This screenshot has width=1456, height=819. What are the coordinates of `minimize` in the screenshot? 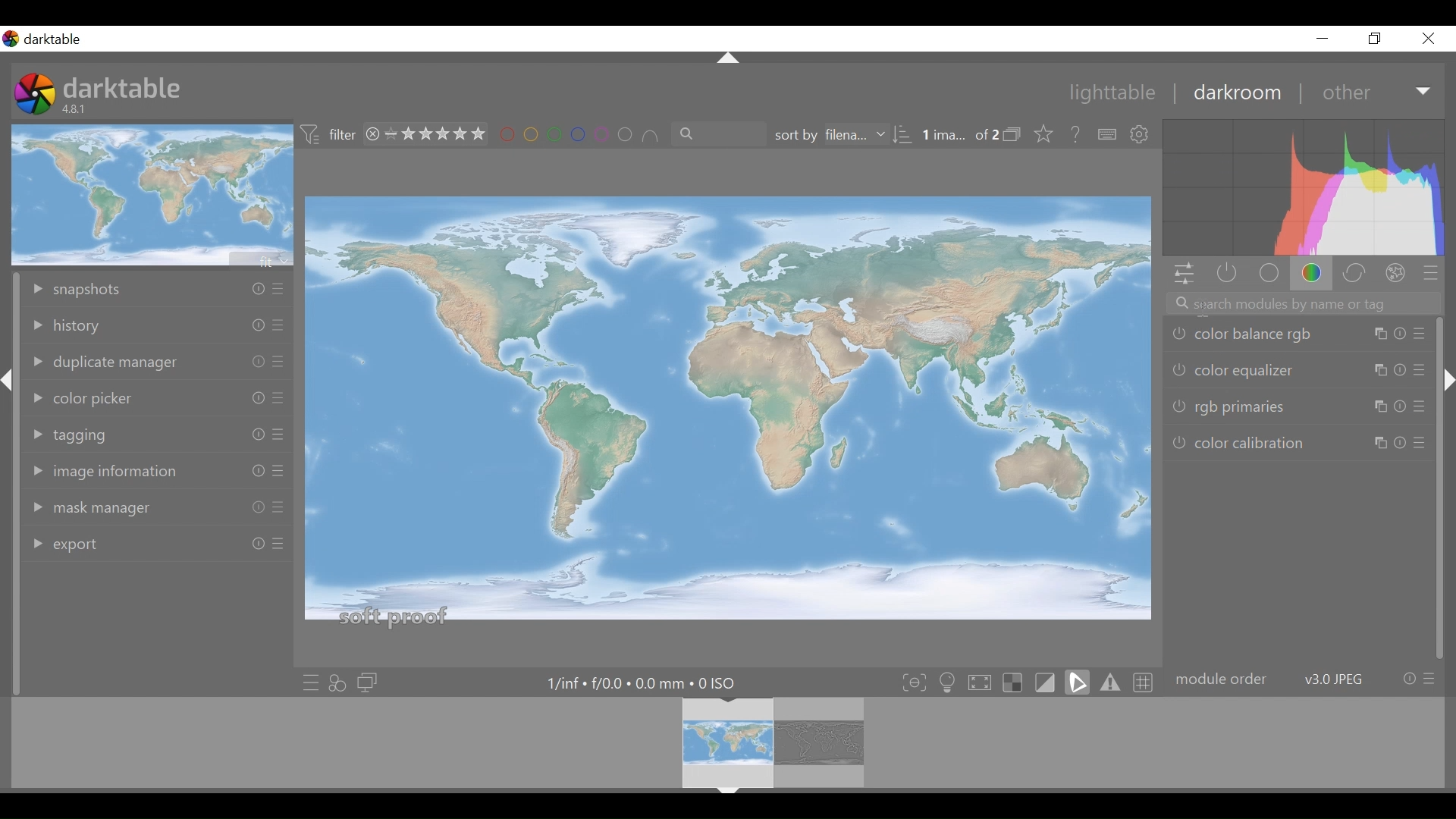 It's located at (1322, 38).